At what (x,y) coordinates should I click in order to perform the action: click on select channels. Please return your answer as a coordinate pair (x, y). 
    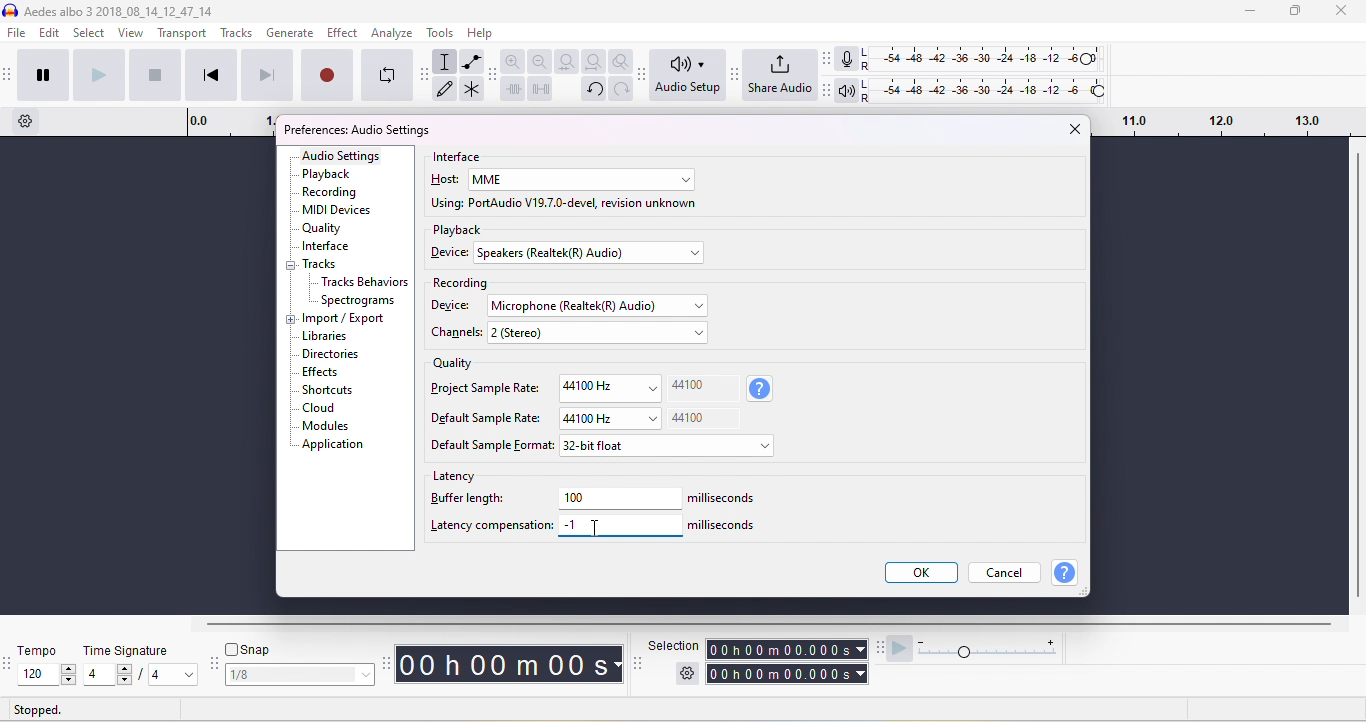
    Looking at the image, I should click on (600, 335).